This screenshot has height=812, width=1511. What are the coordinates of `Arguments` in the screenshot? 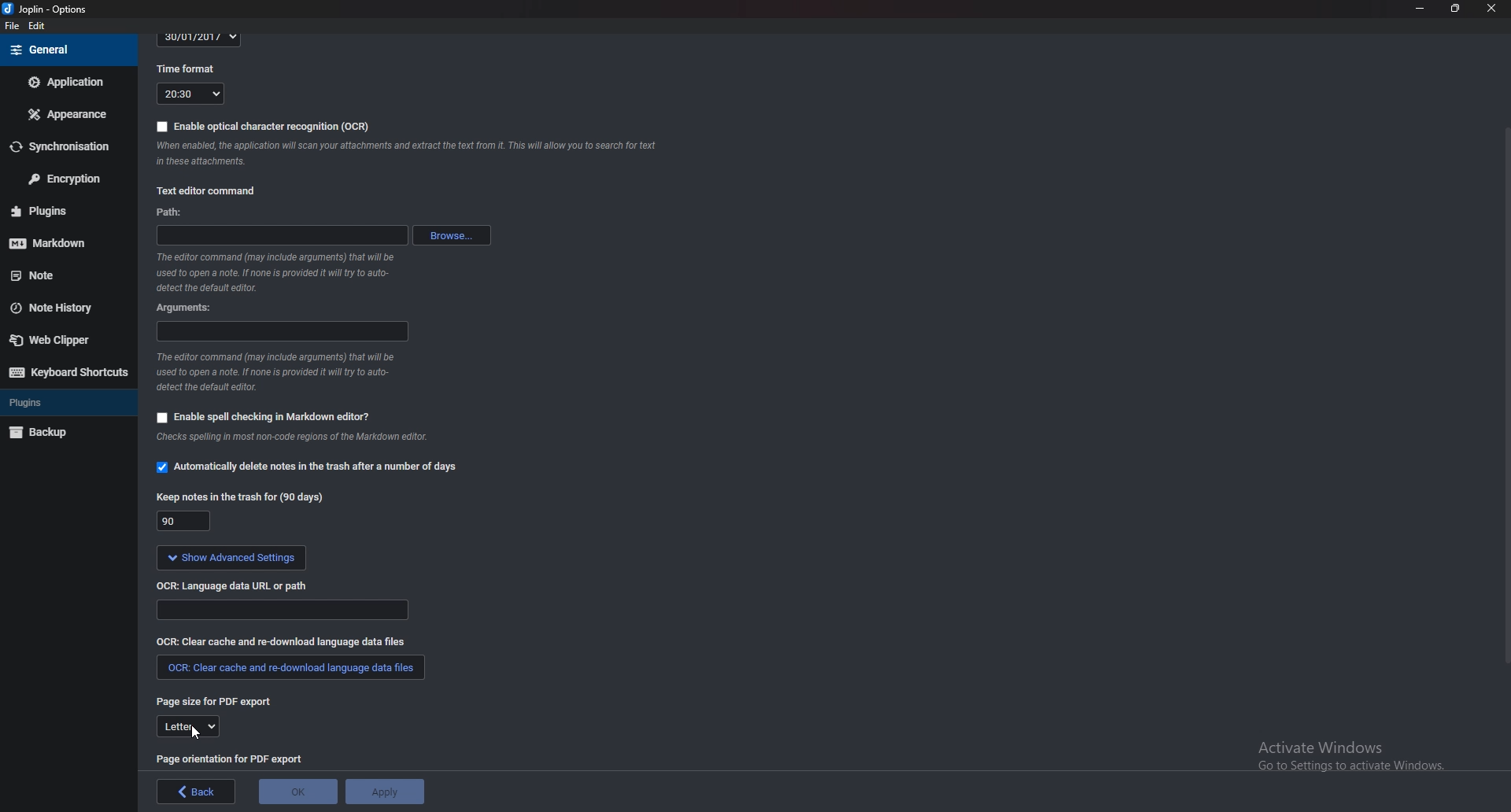 It's located at (280, 330).